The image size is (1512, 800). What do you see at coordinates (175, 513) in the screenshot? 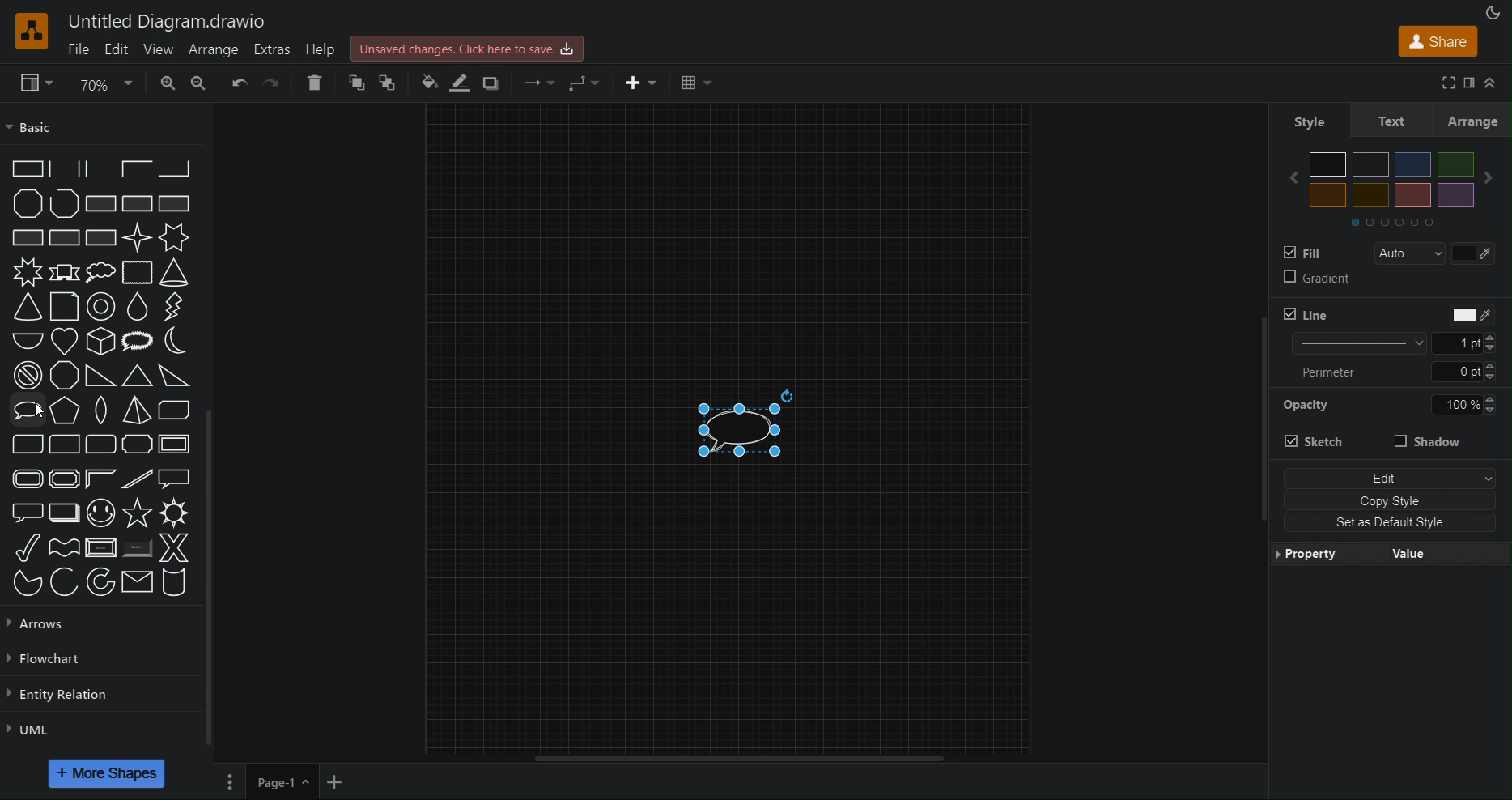
I see `Sun` at bounding box center [175, 513].